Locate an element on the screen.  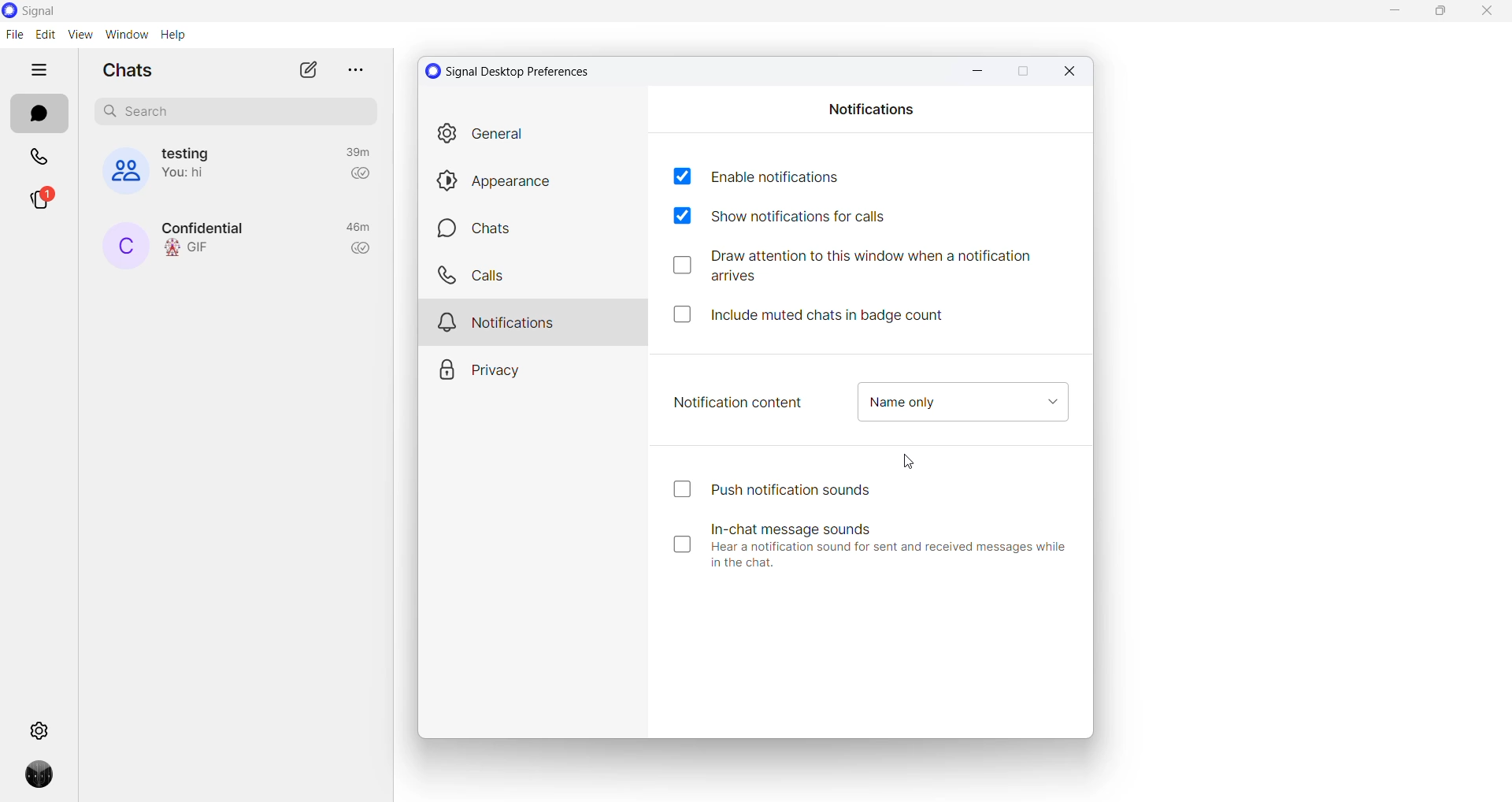
last active time is located at coordinates (358, 228).